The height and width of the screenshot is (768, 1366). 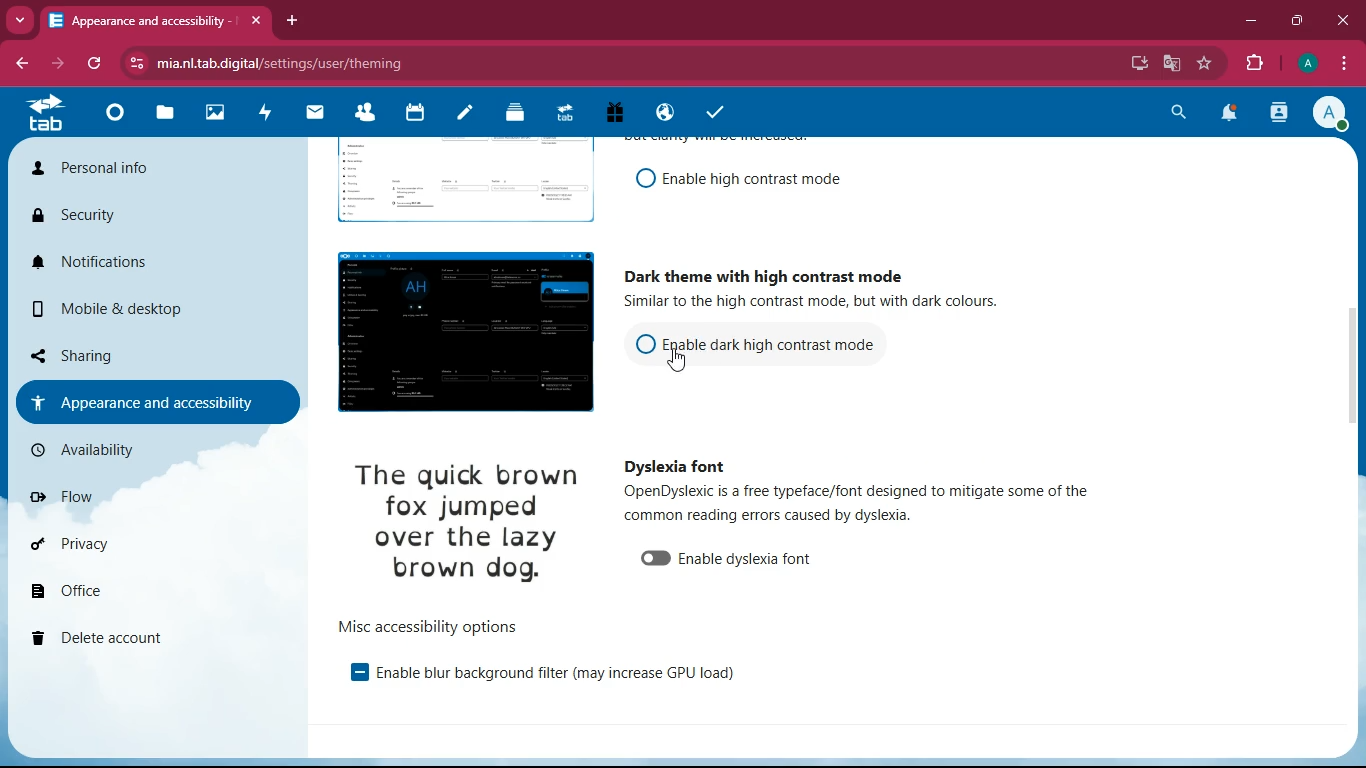 What do you see at coordinates (219, 111) in the screenshot?
I see `images` at bounding box center [219, 111].